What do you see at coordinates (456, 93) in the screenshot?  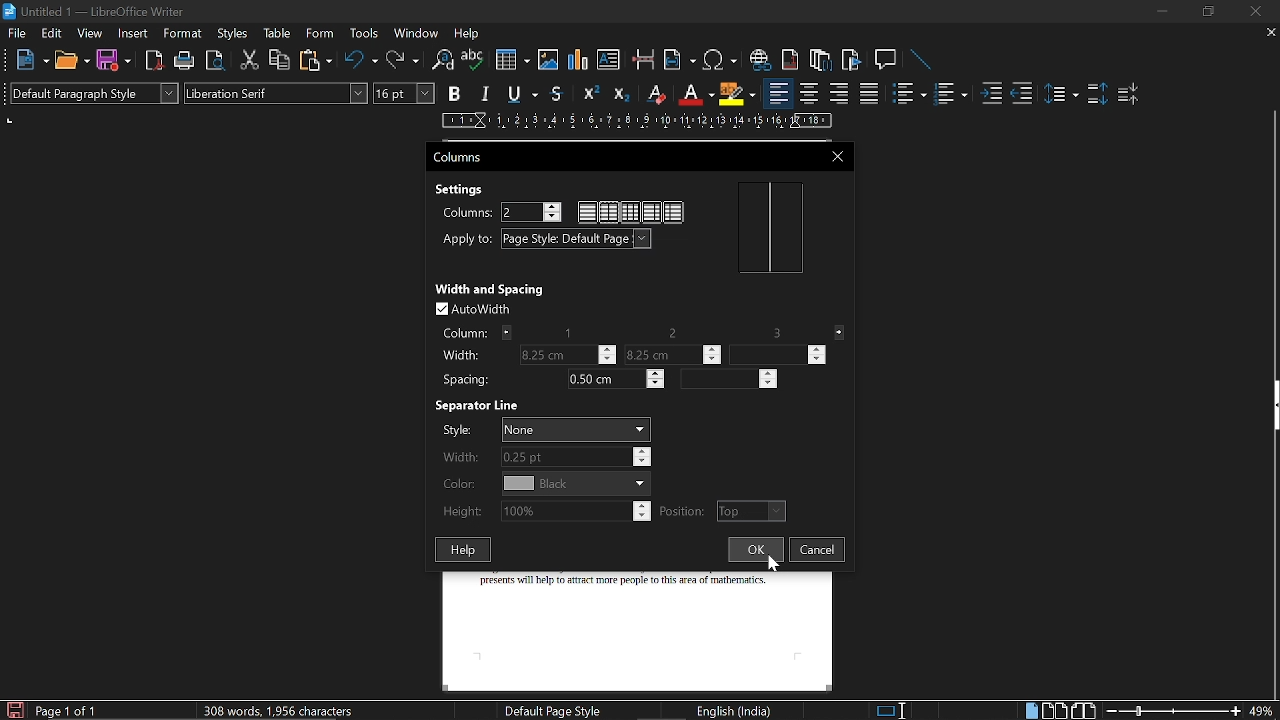 I see `Bold` at bounding box center [456, 93].